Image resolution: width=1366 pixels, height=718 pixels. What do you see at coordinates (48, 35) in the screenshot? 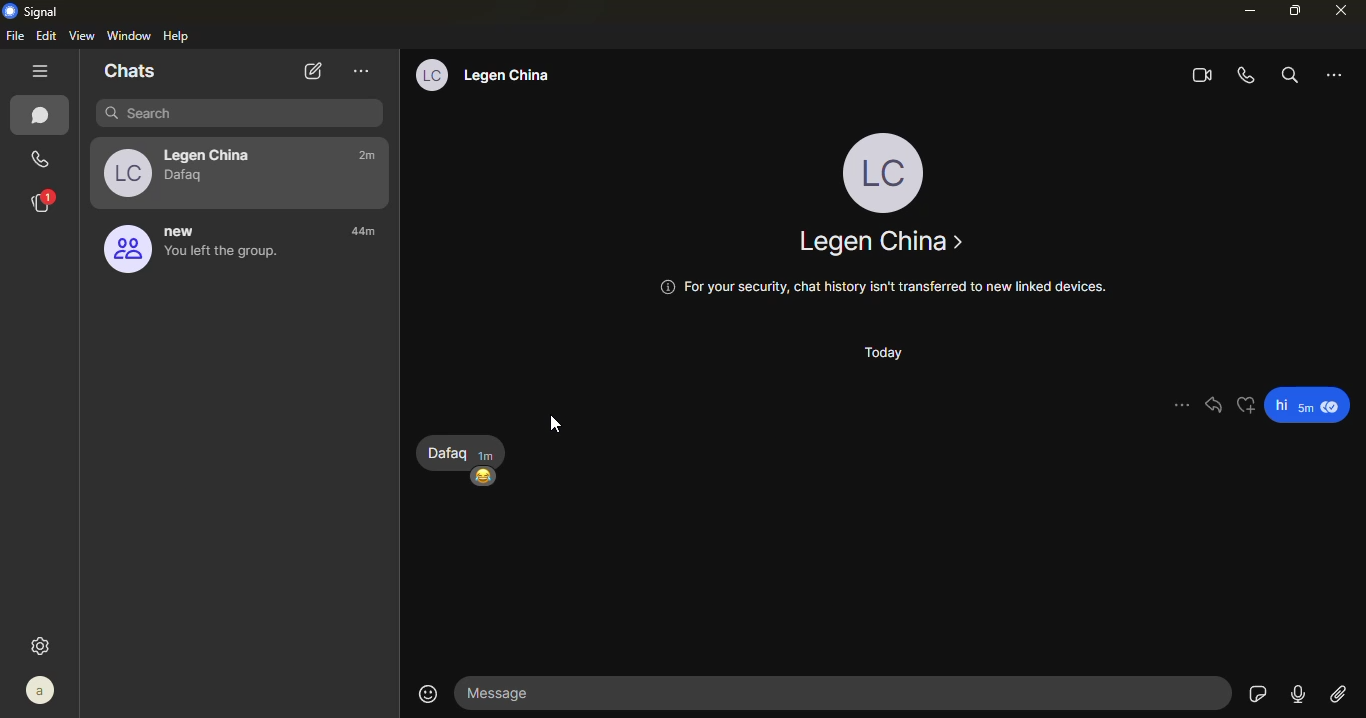
I see `edit` at bounding box center [48, 35].